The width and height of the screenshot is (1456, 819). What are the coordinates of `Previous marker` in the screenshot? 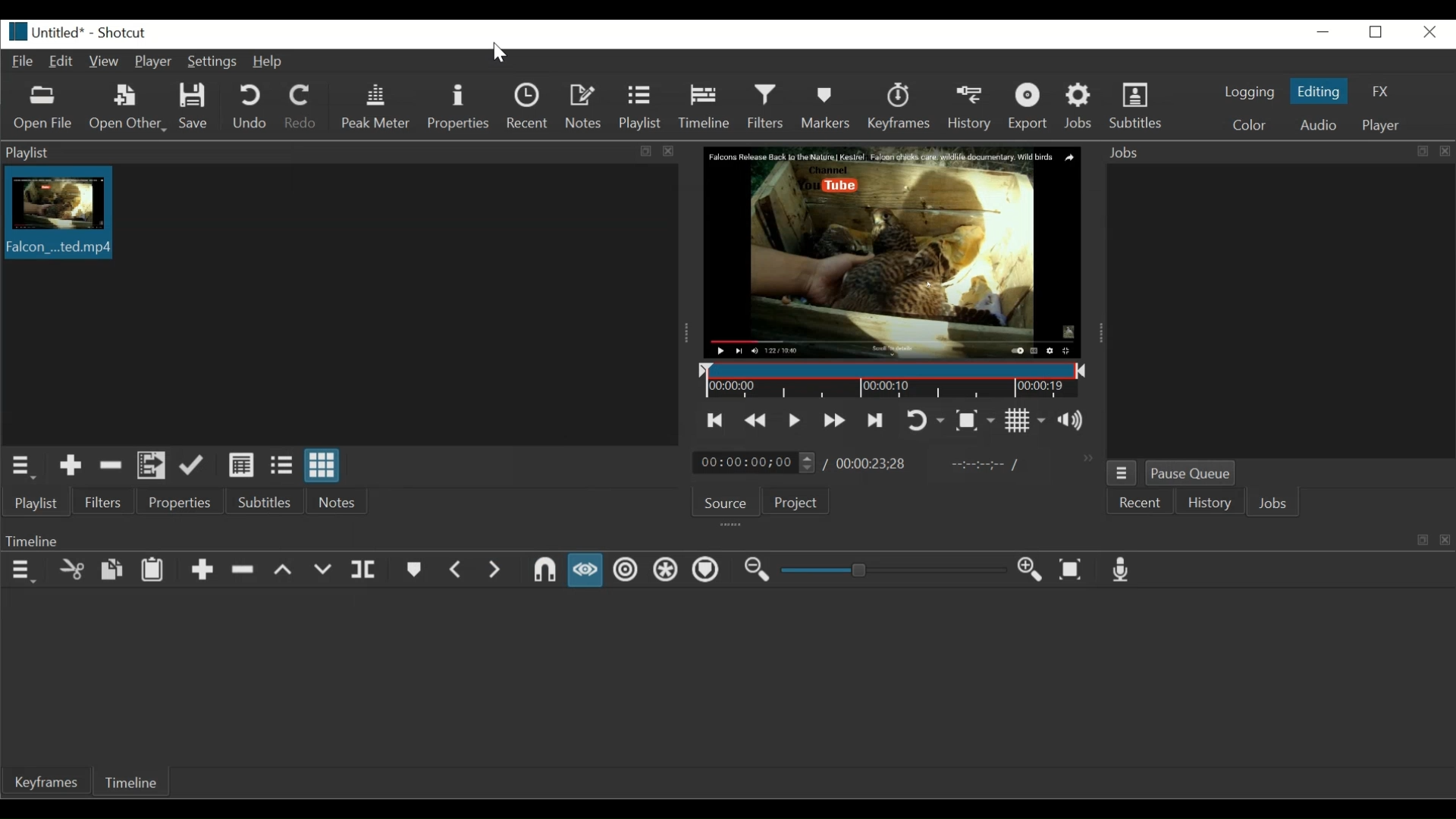 It's located at (460, 570).